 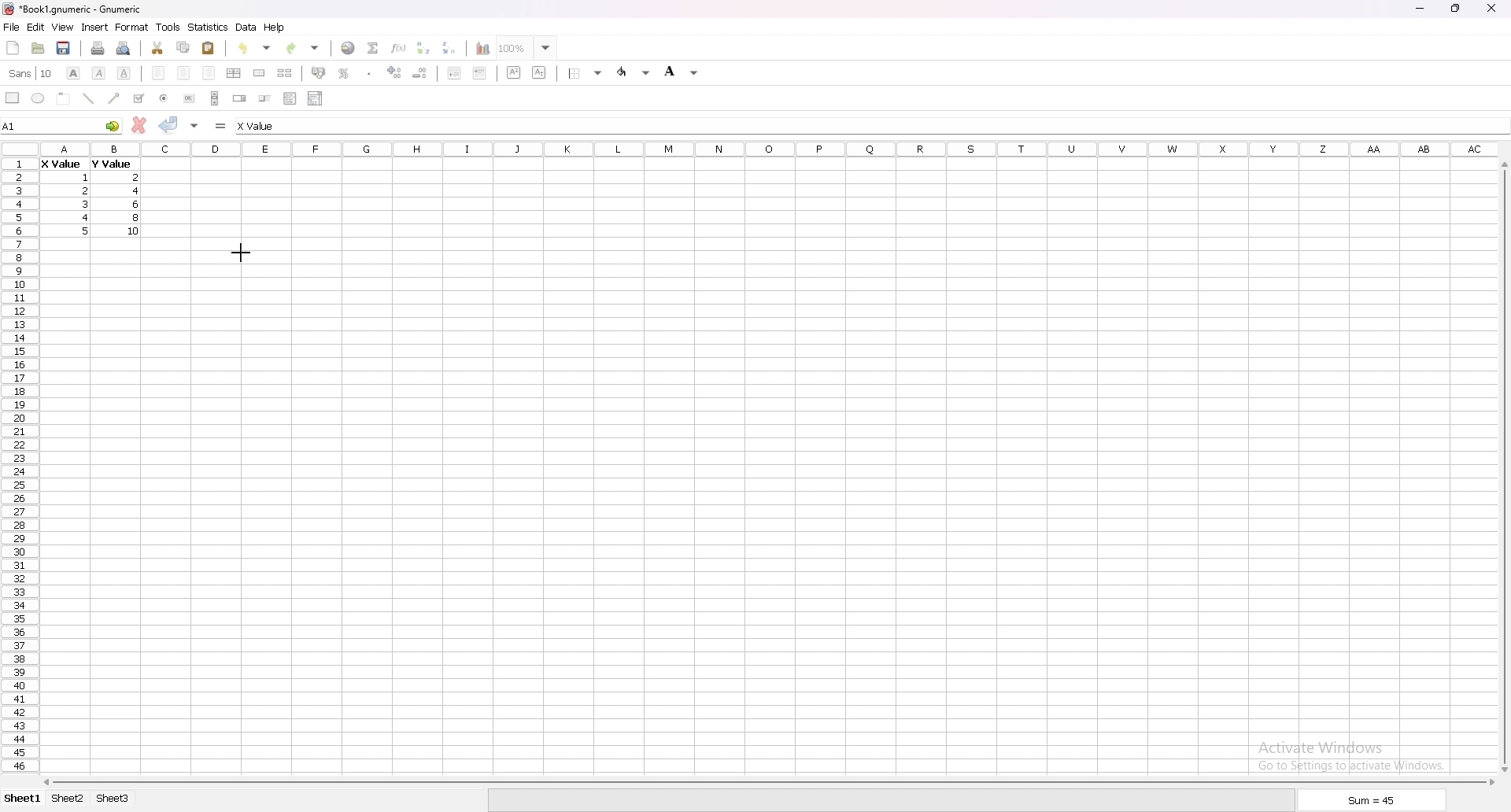 I want to click on copy, so click(x=183, y=47).